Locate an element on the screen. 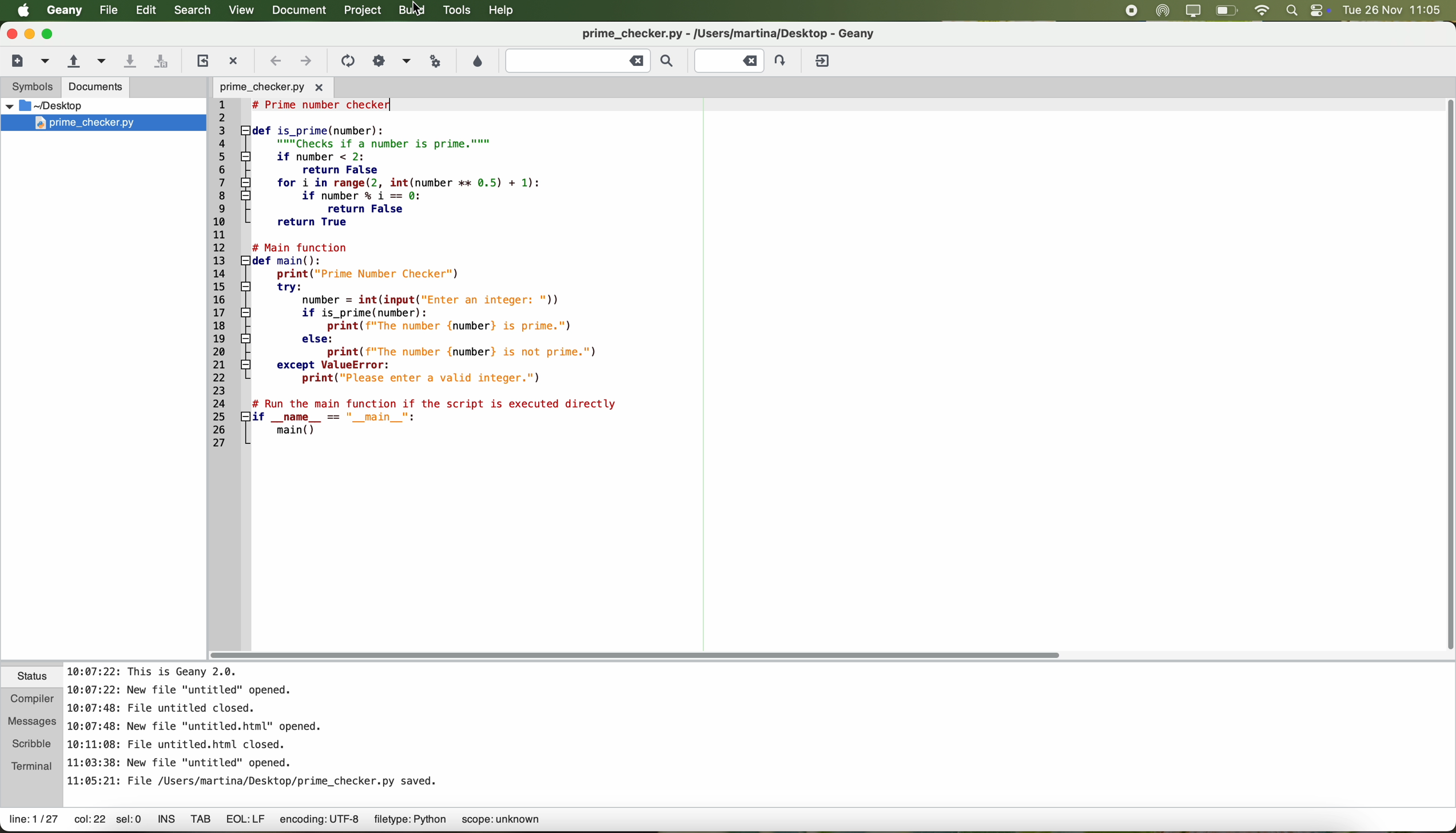 Image resolution: width=1456 pixels, height=833 pixels. open an existing file is located at coordinates (73, 61).